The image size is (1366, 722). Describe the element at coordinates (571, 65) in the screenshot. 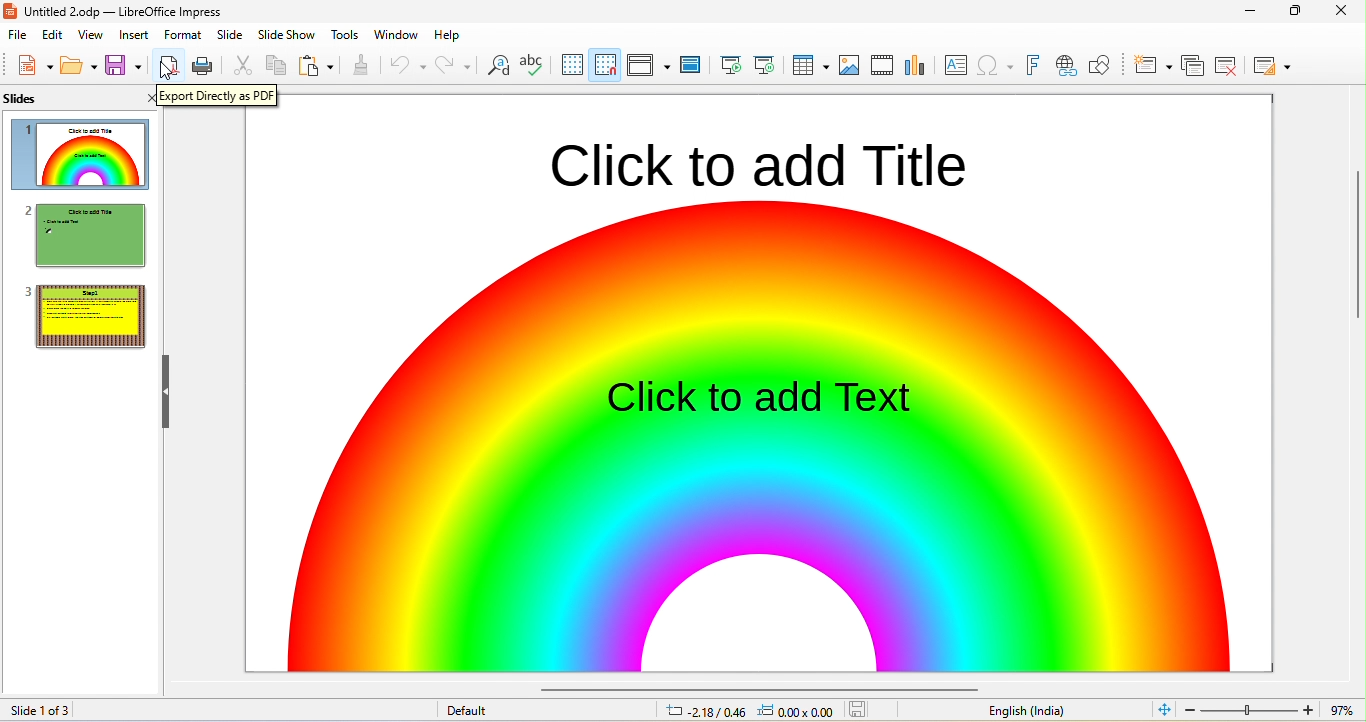

I see `display grid` at that location.